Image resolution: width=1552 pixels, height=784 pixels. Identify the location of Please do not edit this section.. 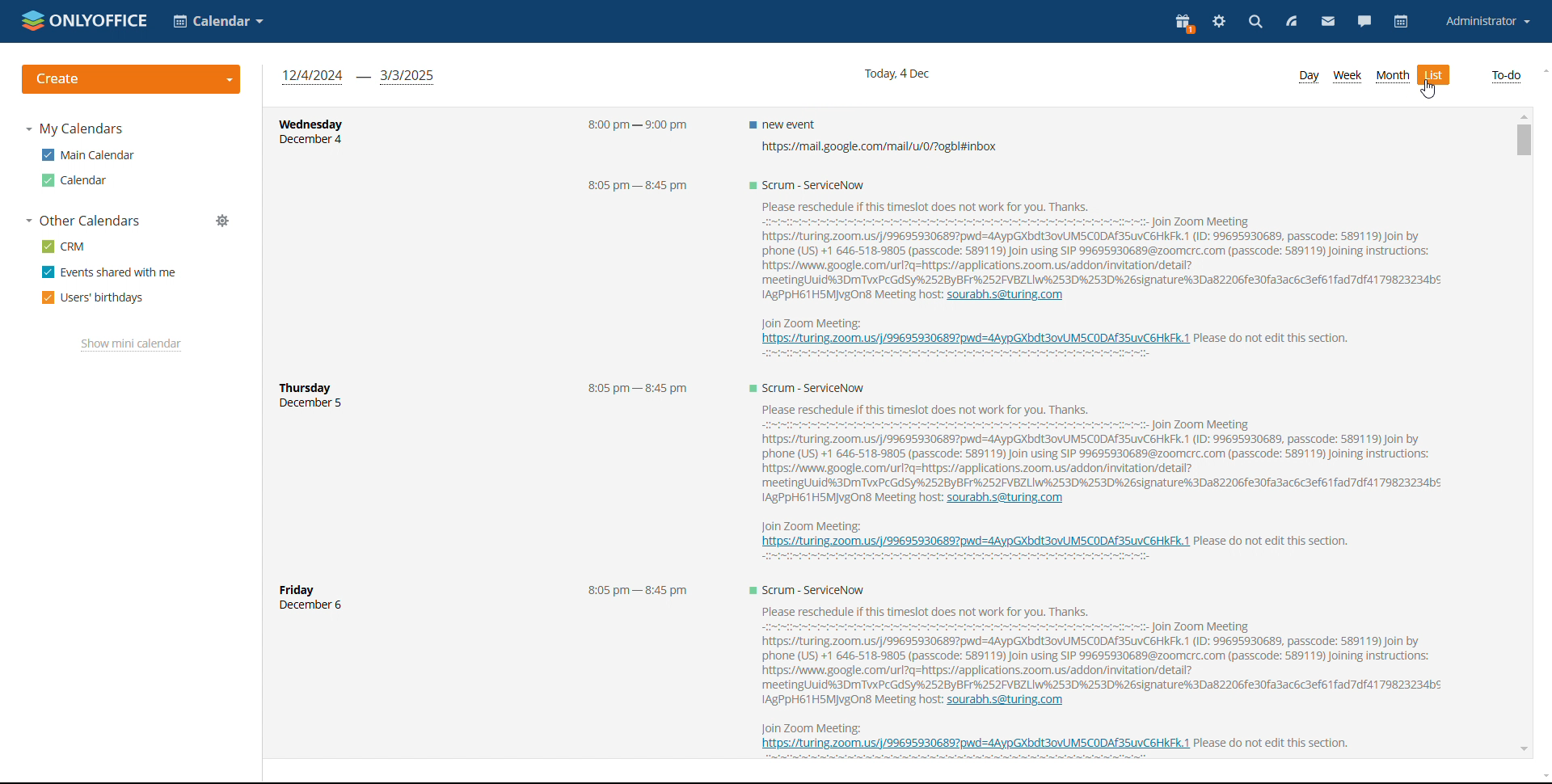
(1278, 339).